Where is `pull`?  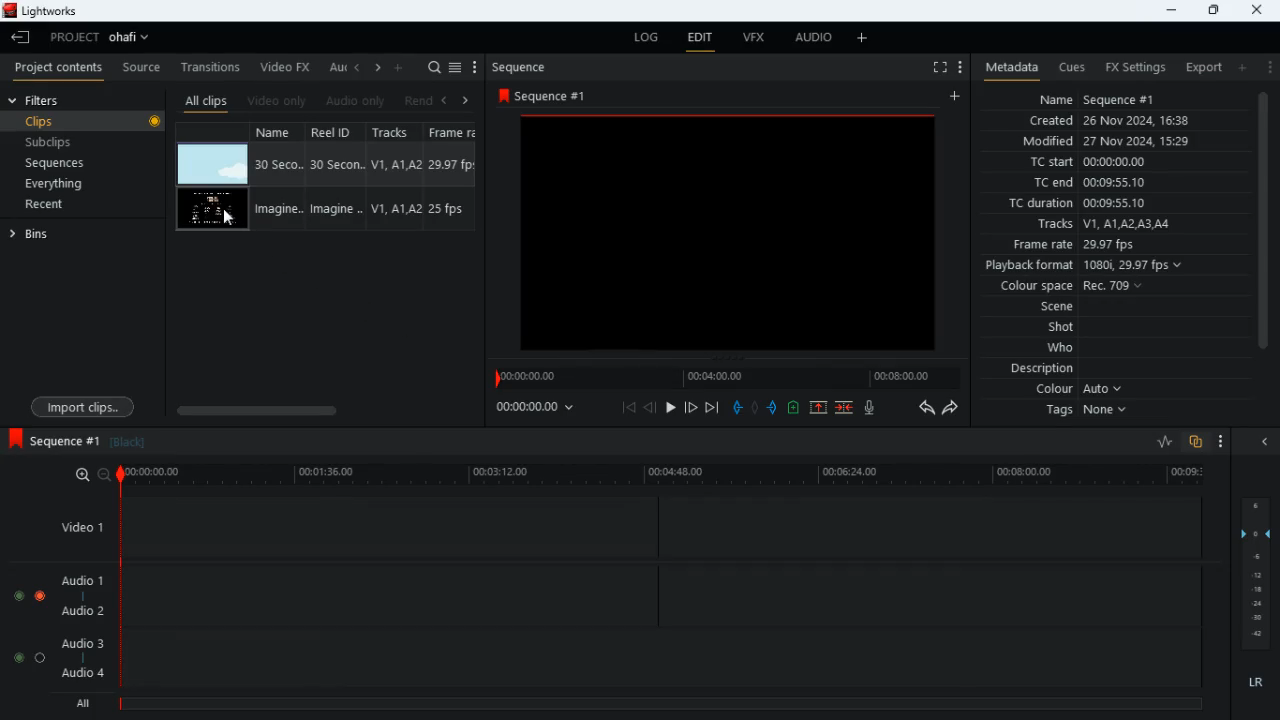
pull is located at coordinates (737, 407).